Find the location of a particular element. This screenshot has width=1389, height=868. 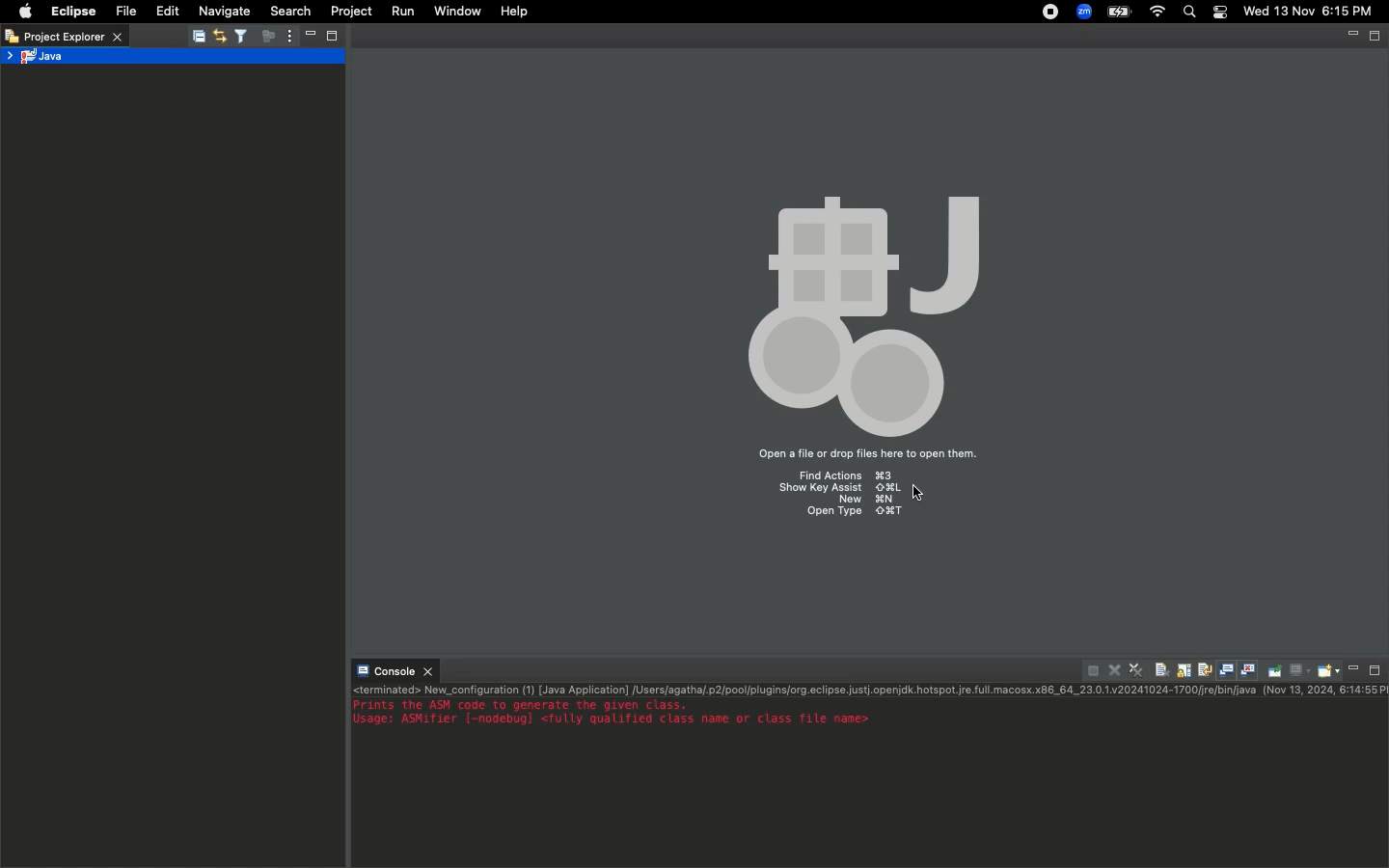

Console is located at coordinates (383, 671).